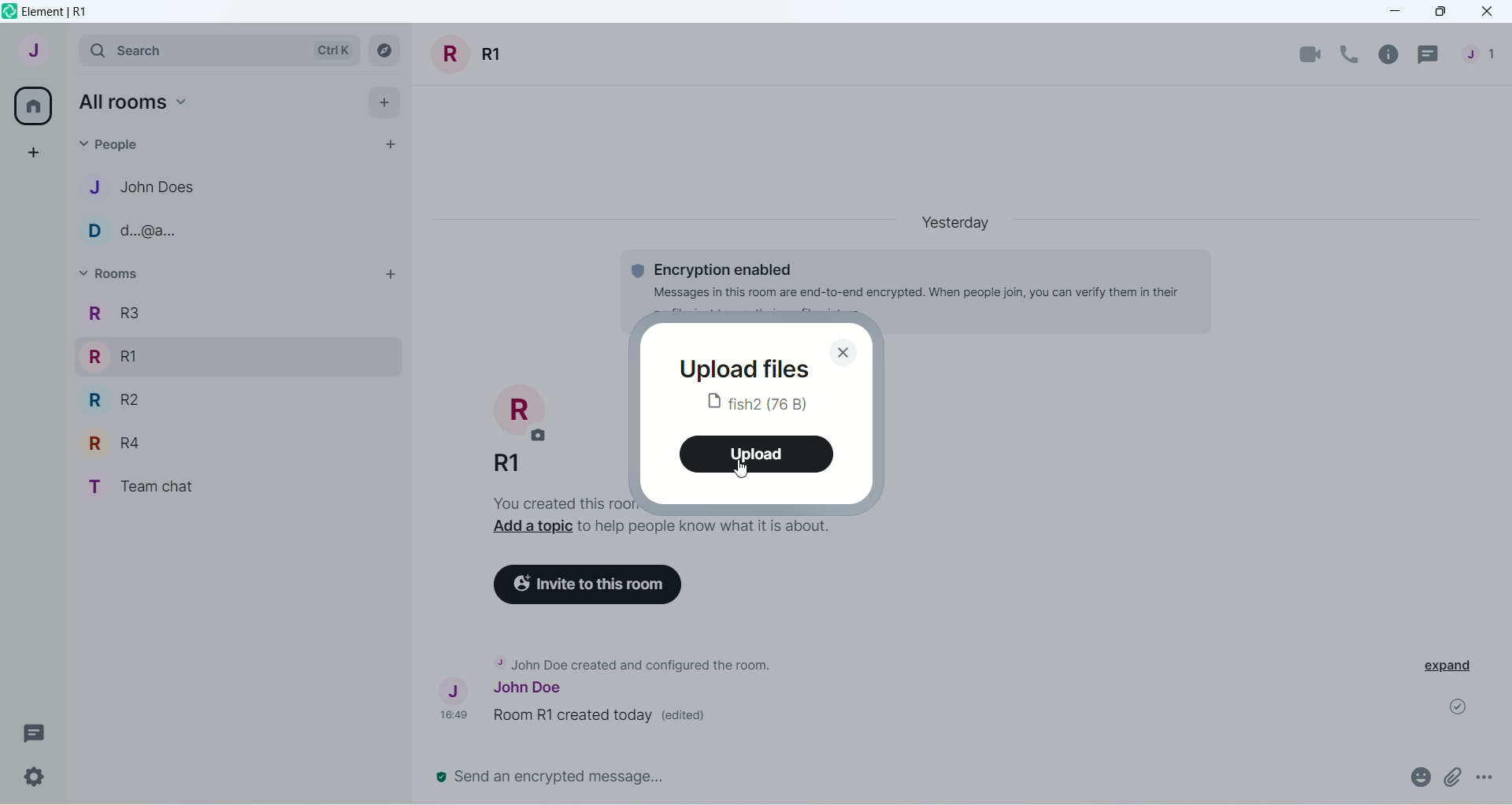 The width and height of the screenshot is (1512, 805). I want to click on John Doe created and configure the room., so click(635, 666).